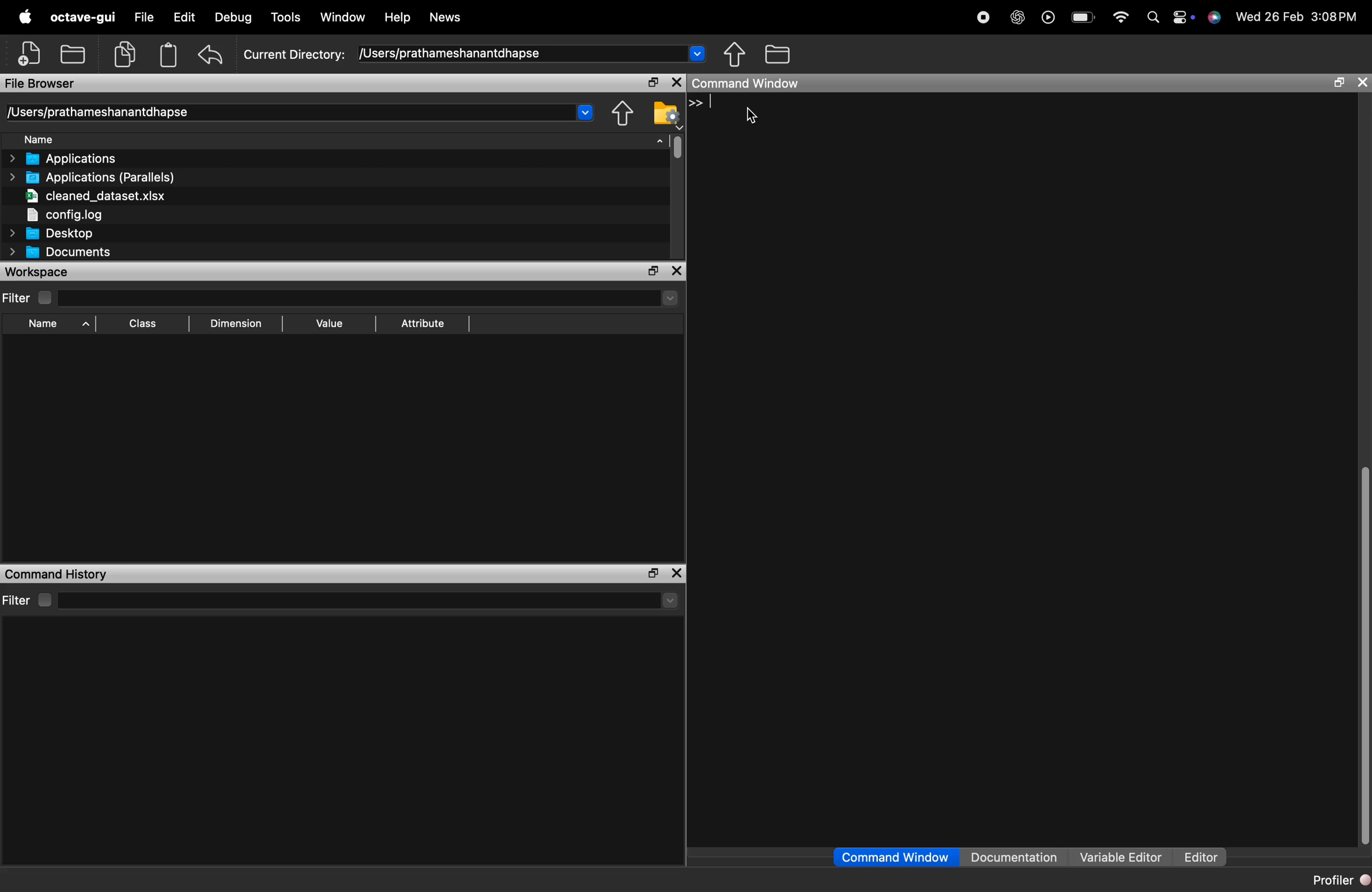  I want to click on Class, so click(144, 326).